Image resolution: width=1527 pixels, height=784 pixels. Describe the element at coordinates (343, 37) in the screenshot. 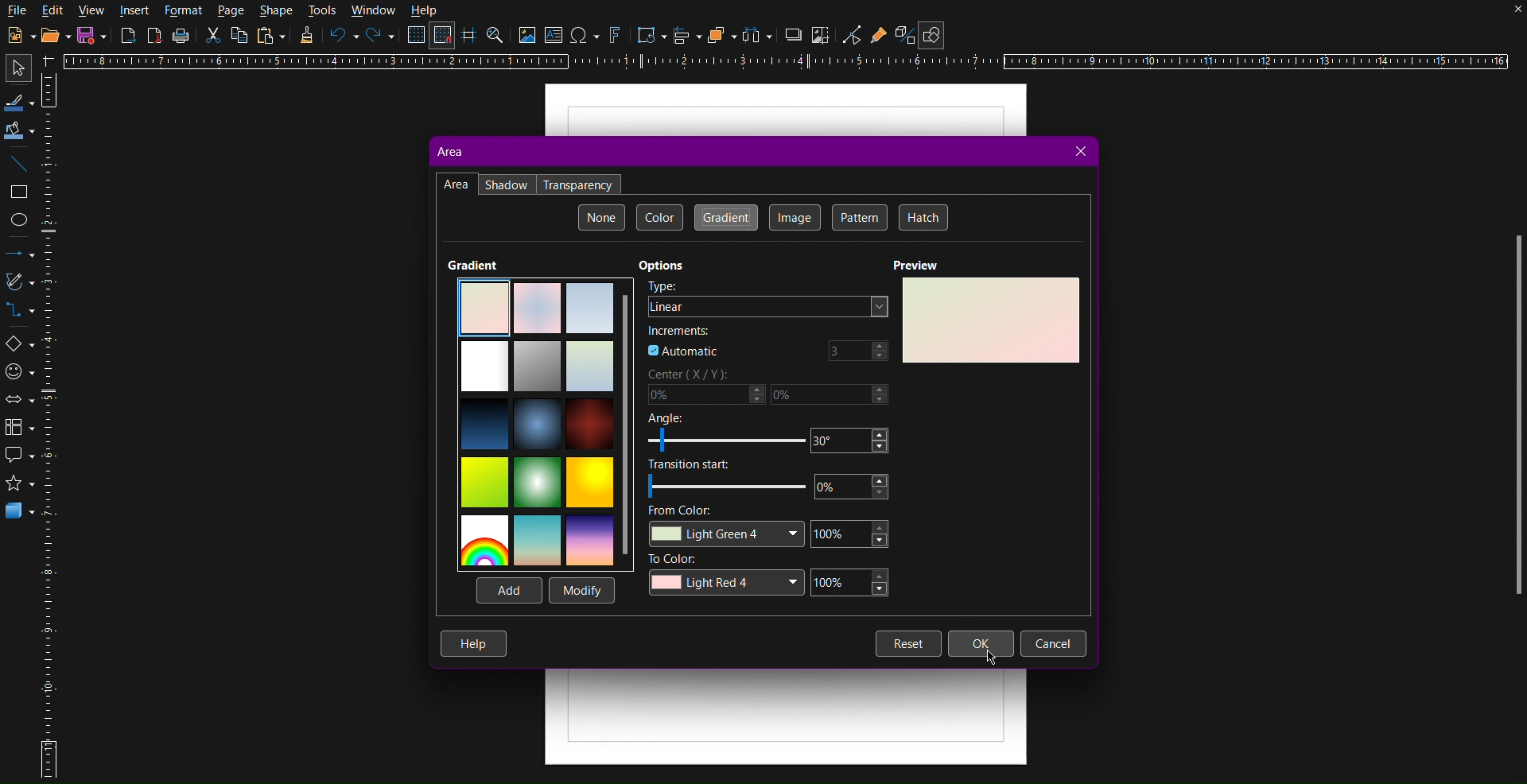

I see `Undo` at that location.